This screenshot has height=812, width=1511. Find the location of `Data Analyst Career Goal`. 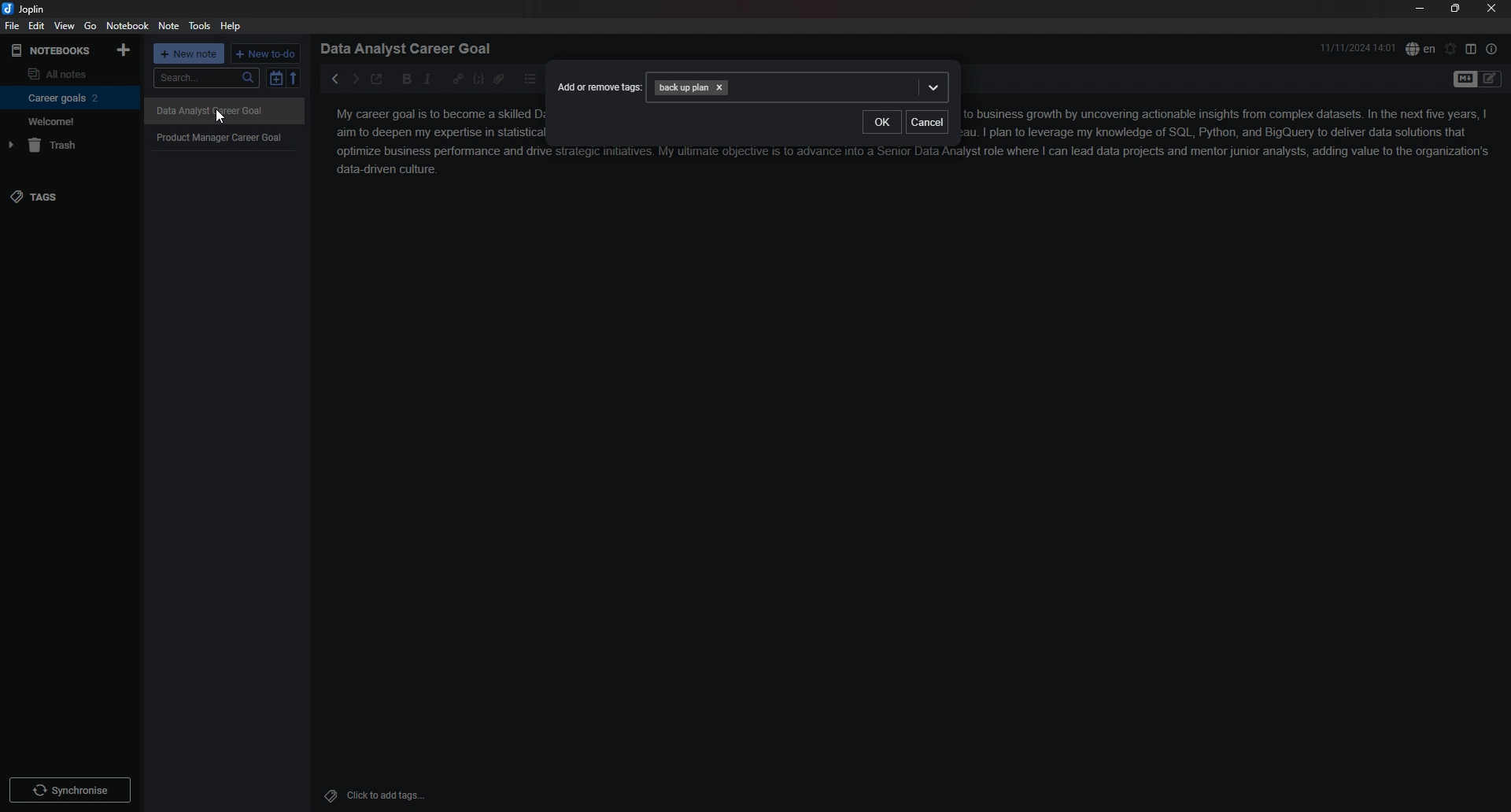

Data Analyst Career Goal is located at coordinates (412, 48).